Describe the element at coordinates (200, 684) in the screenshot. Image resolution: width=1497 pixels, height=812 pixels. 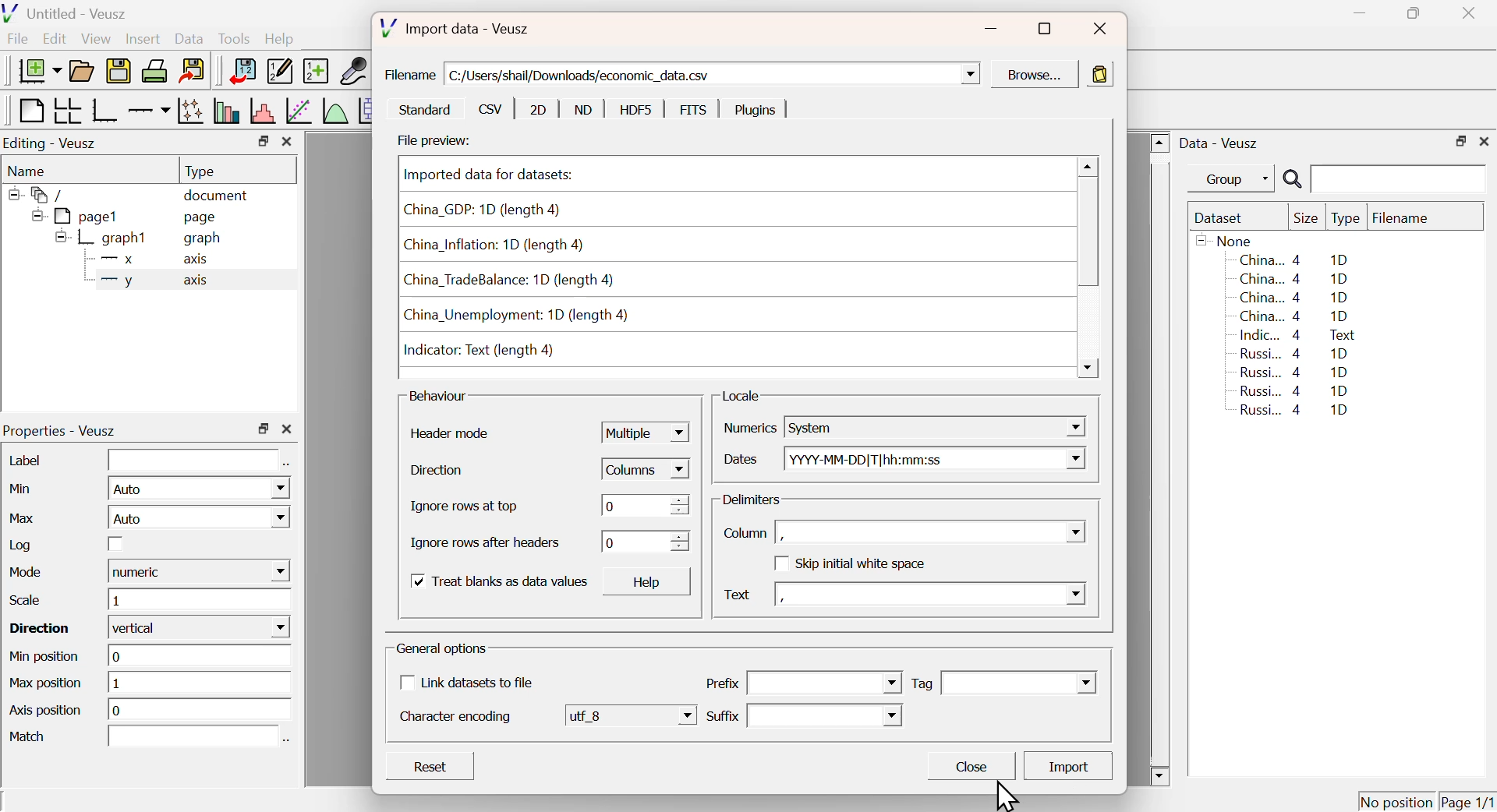
I see `1` at that location.